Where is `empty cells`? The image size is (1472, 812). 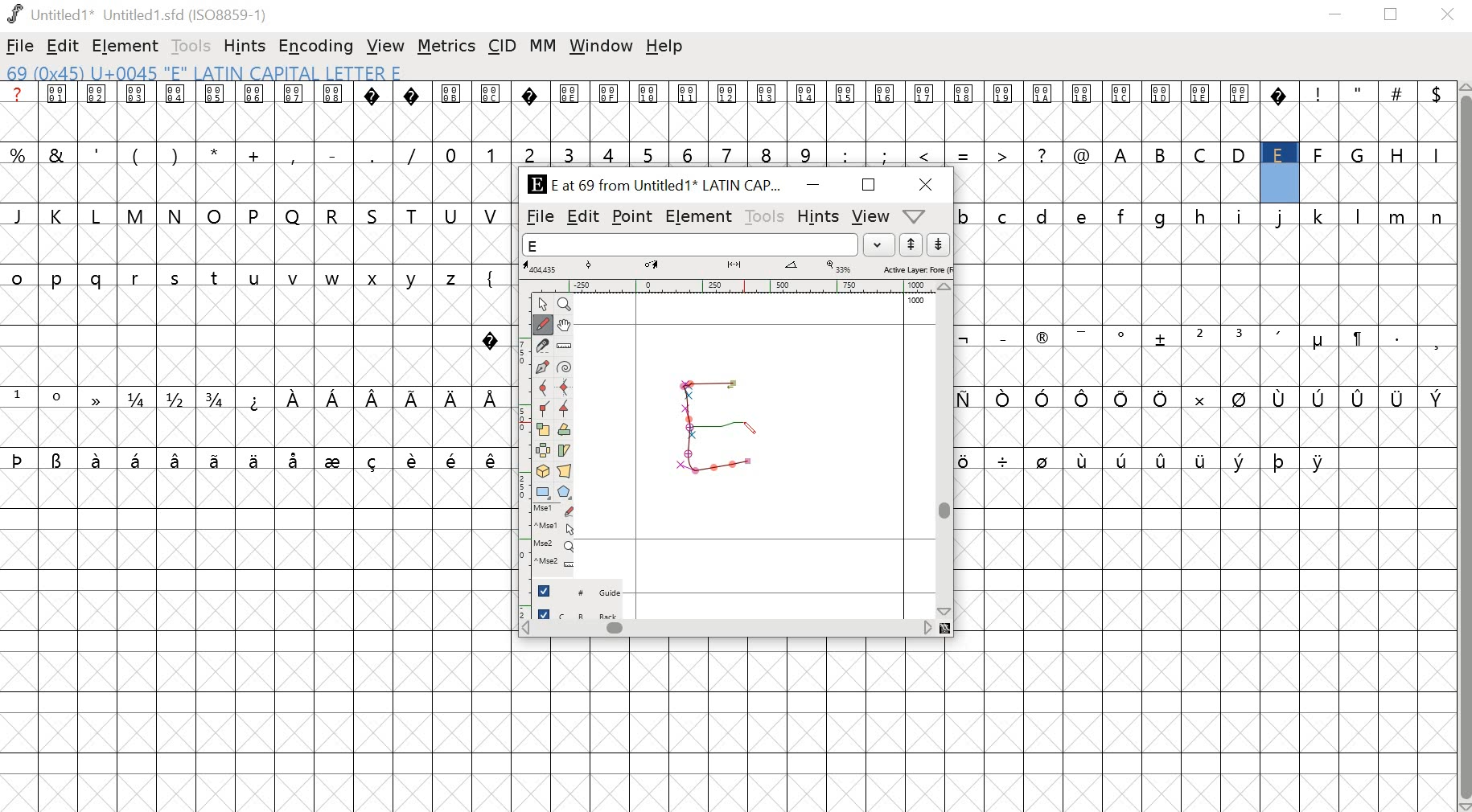
empty cells is located at coordinates (1205, 182).